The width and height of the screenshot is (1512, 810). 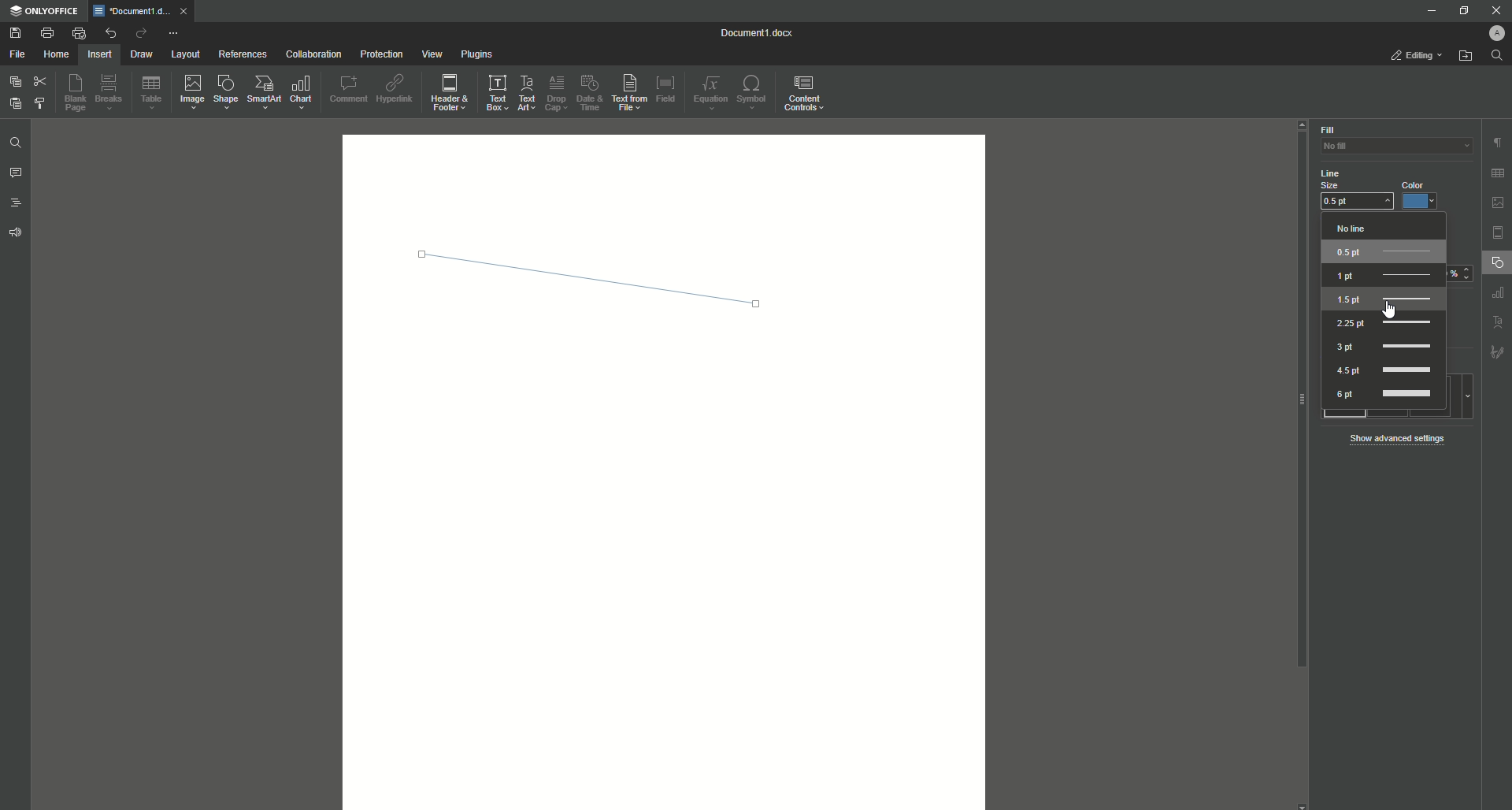 What do you see at coordinates (1489, 34) in the screenshot?
I see `Profile` at bounding box center [1489, 34].